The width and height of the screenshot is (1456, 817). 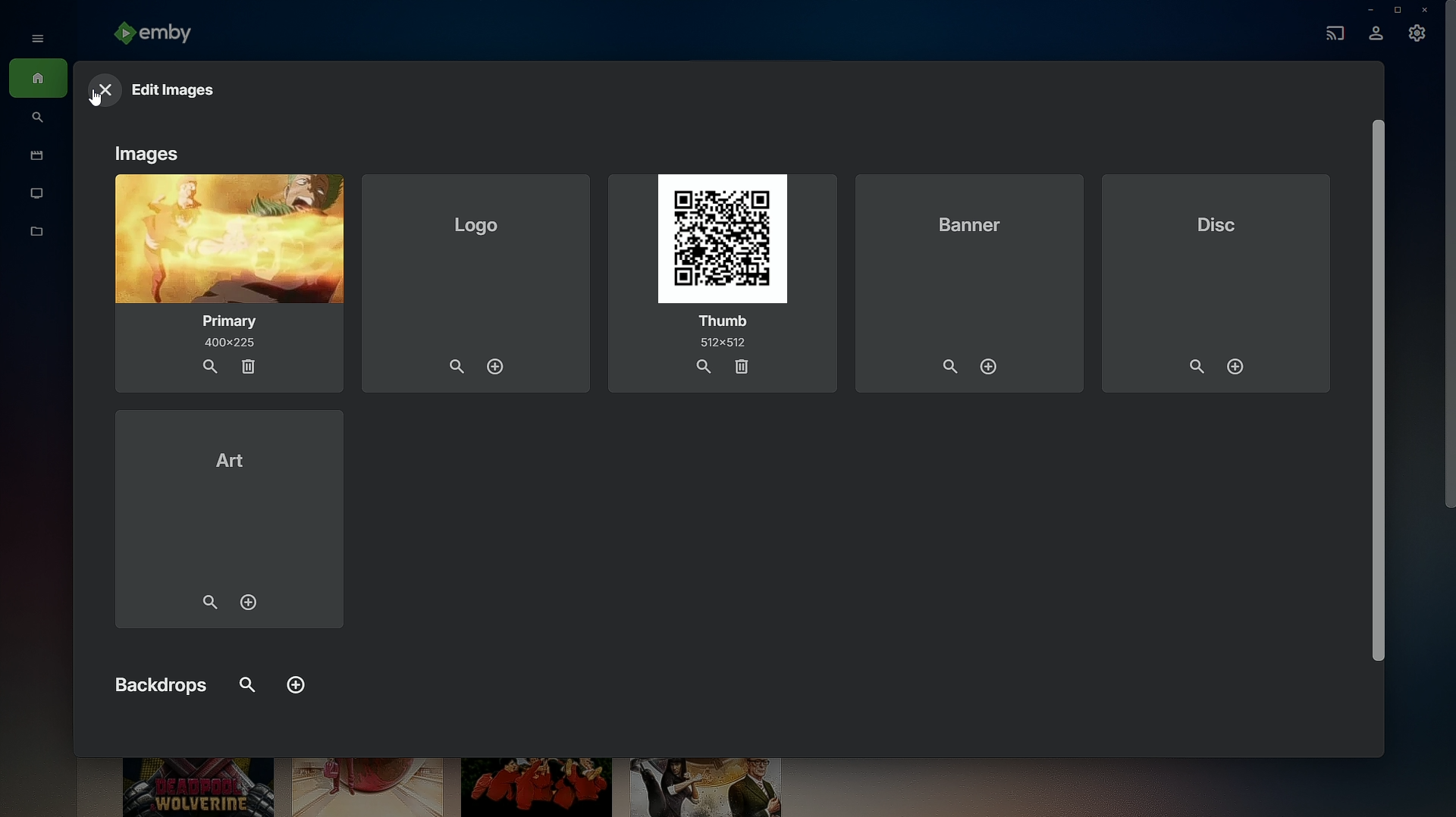 I want to click on Edit Images, so click(x=175, y=91).